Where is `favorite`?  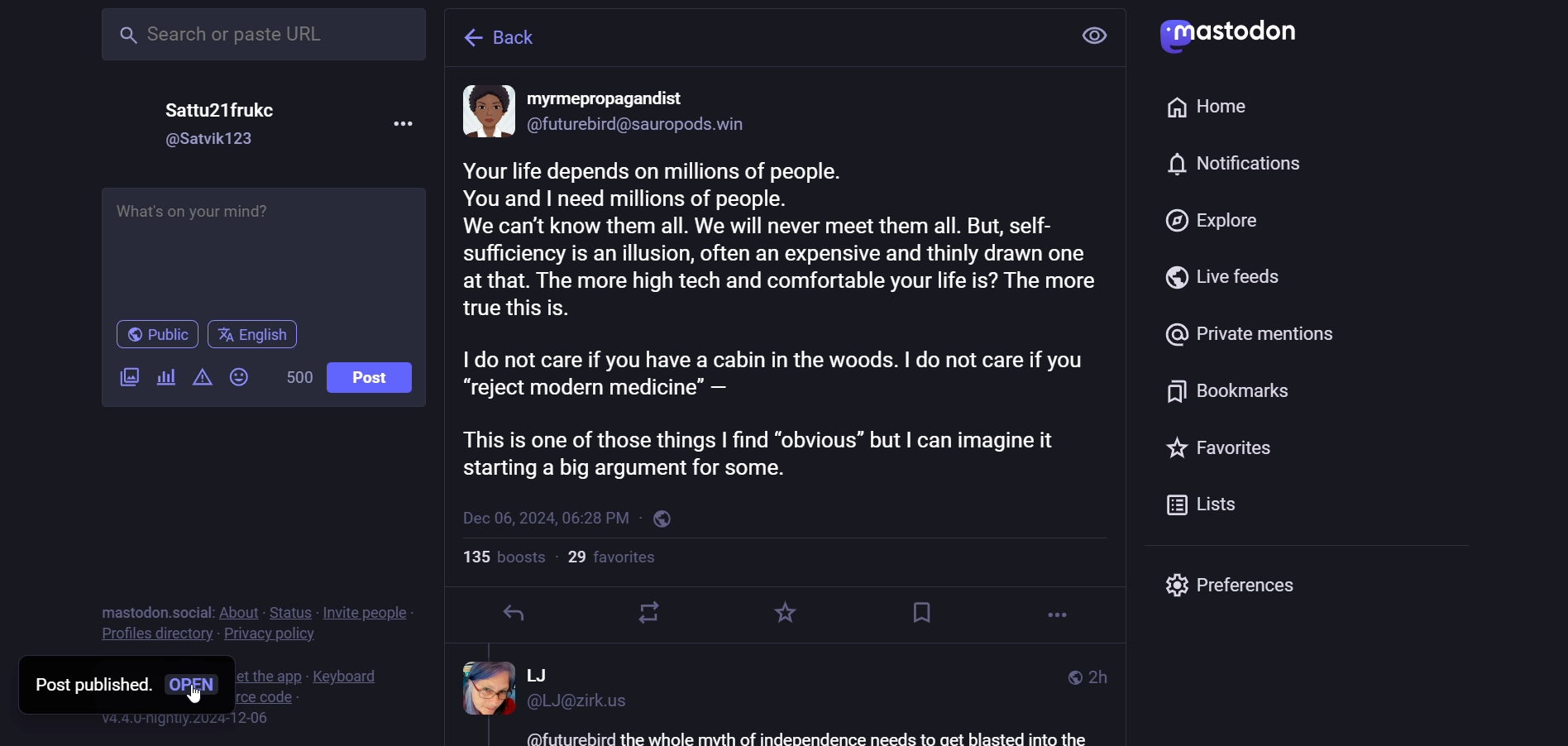 favorite is located at coordinates (1221, 450).